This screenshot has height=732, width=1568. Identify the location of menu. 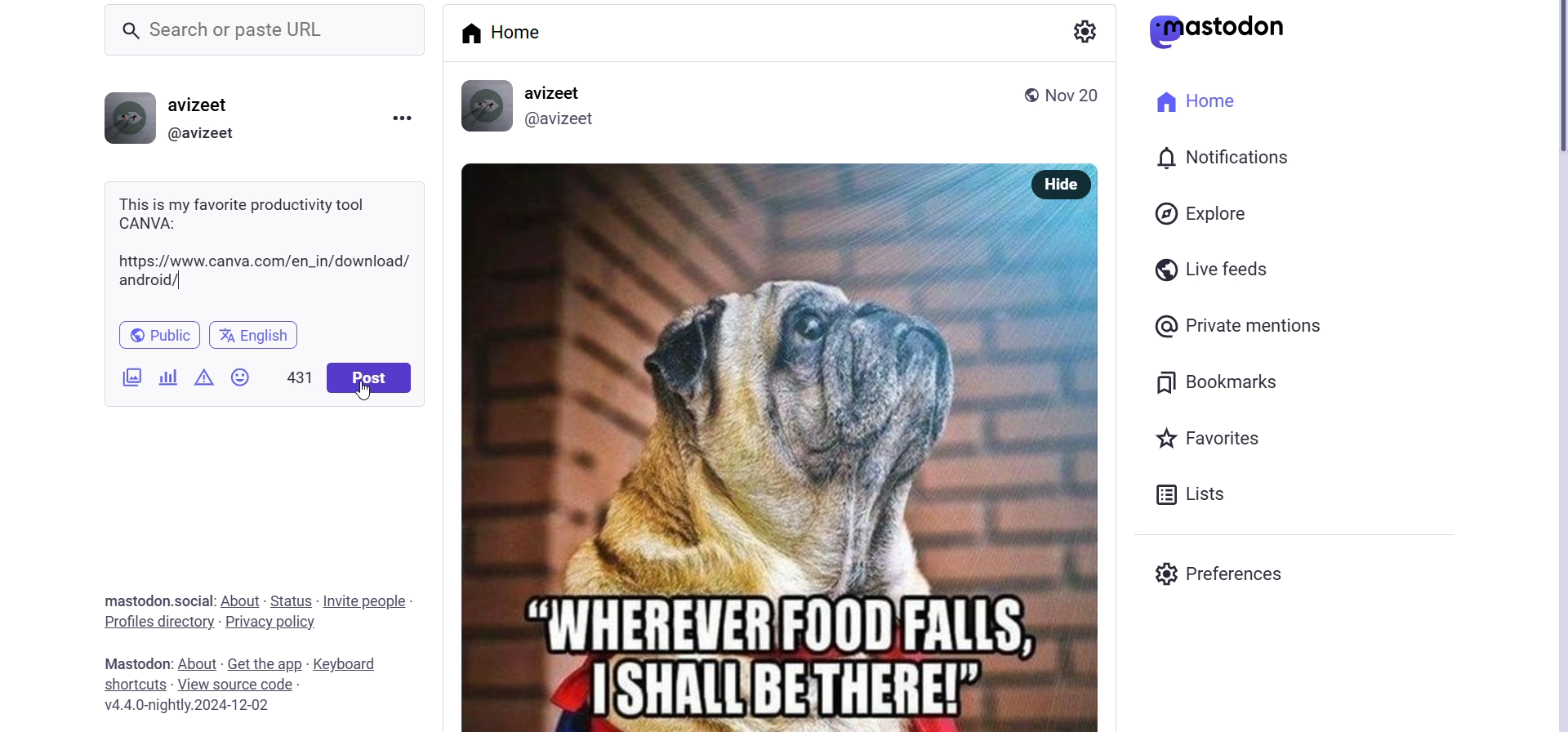
(403, 120).